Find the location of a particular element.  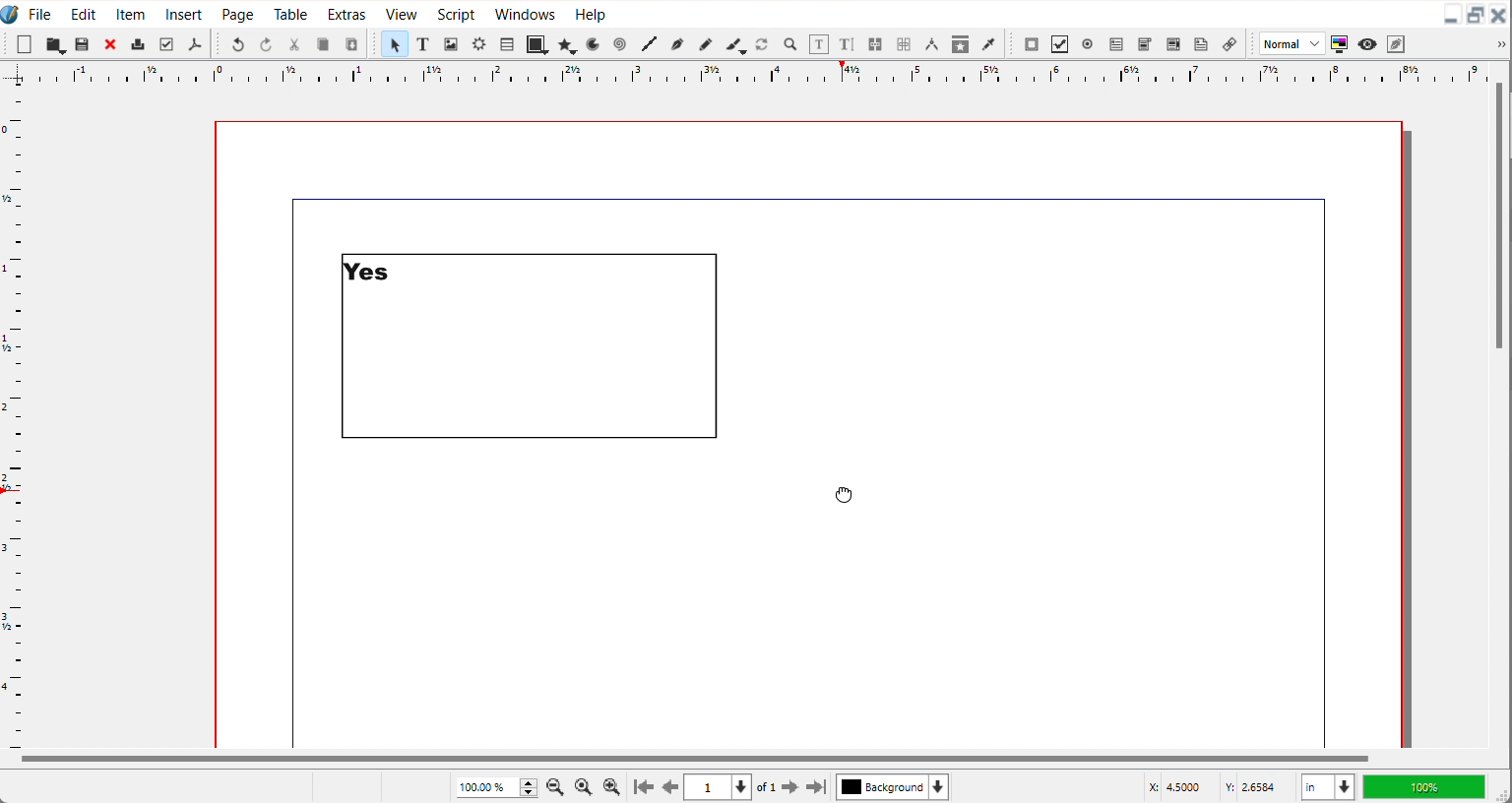

Vertical Scale is located at coordinates (14, 413).